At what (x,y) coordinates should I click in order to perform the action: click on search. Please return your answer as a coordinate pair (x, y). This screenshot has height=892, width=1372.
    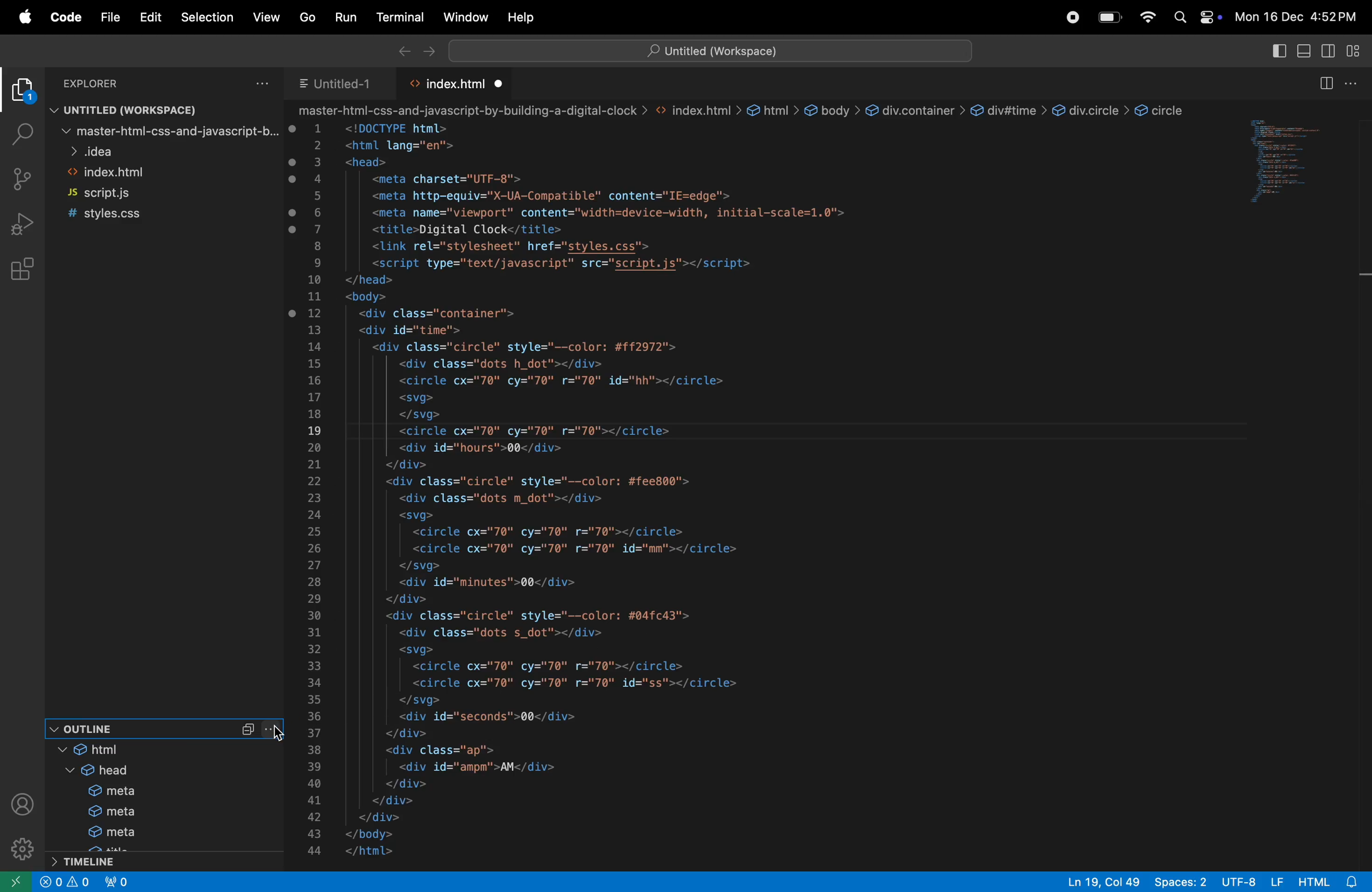
    Looking at the image, I should click on (19, 131).